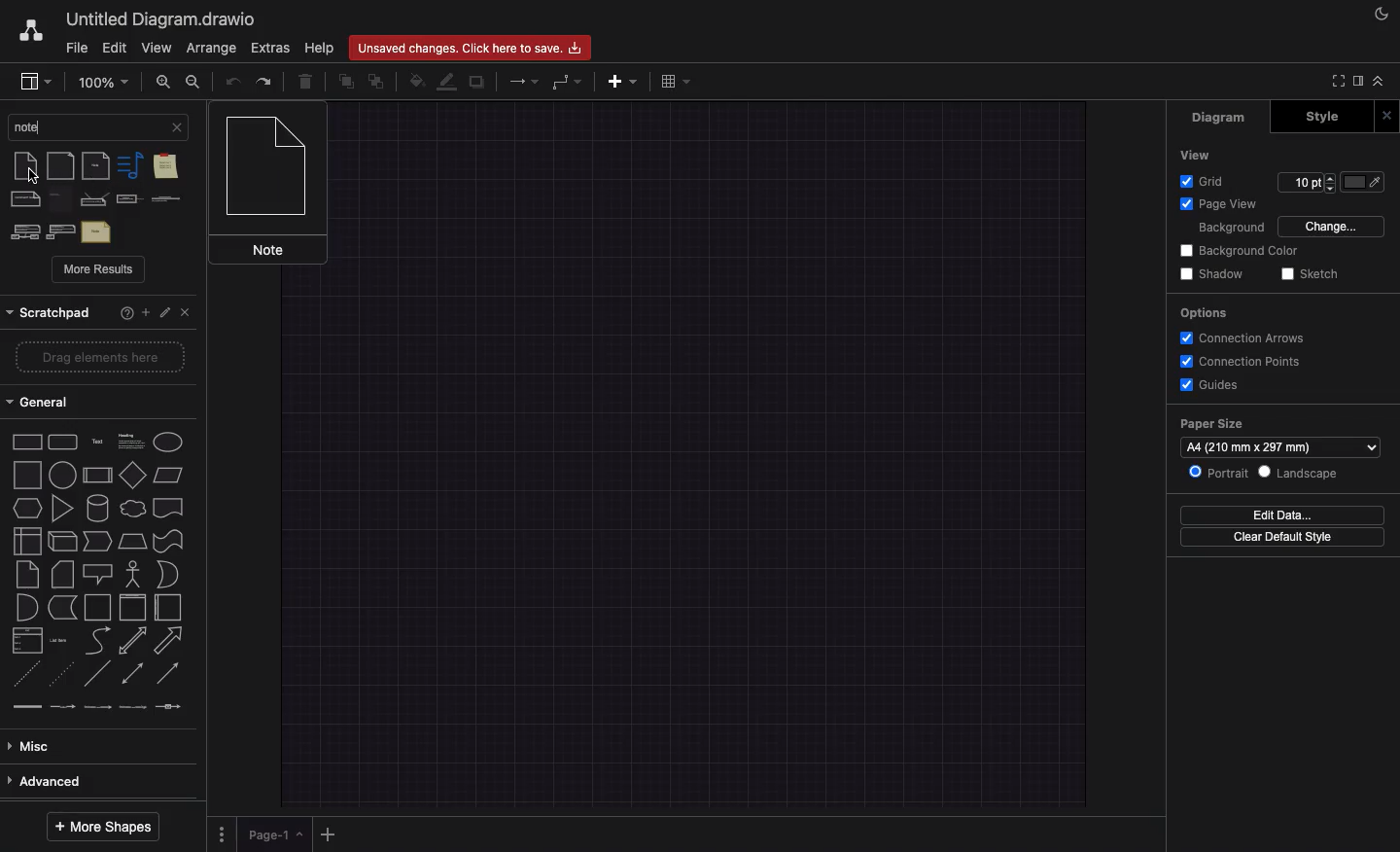  What do you see at coordinates (147, 314) in the screenshot?
I see `Add` at bounding box center [147, 314].